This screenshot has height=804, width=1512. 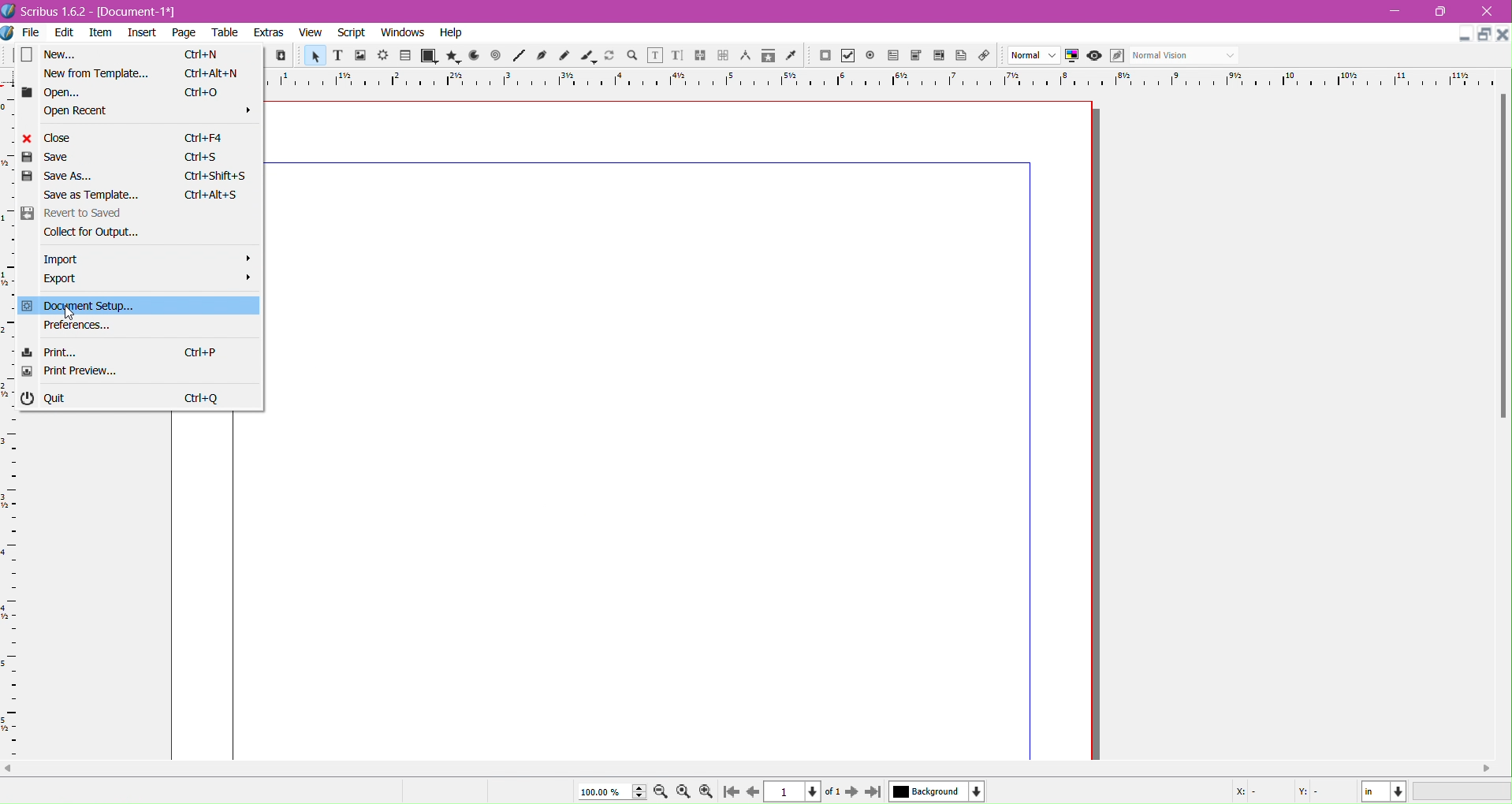 I want to click on close, so click(x=49, y=138).